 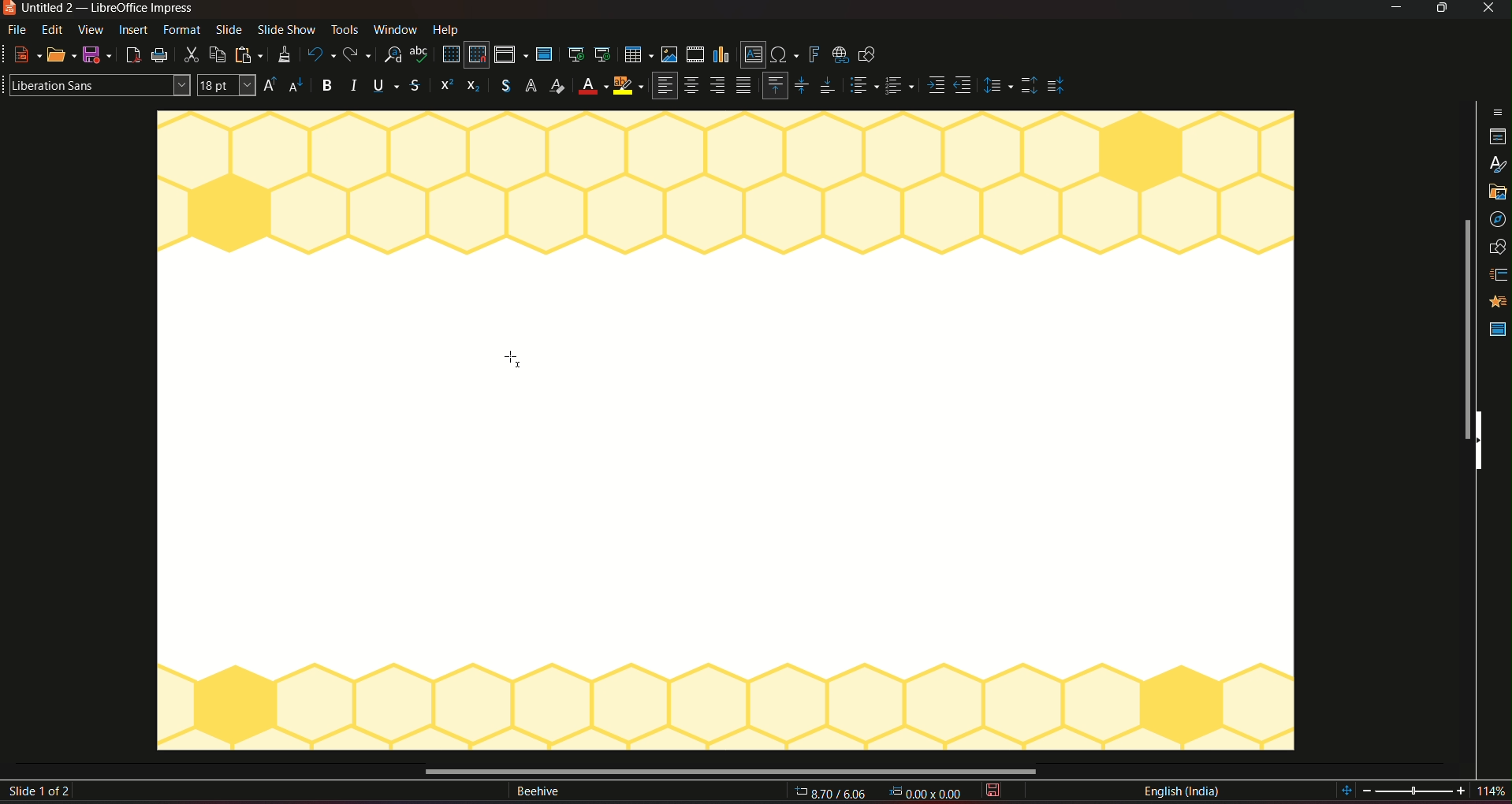 What do you see at coordinates (501, 87) in the screenshot?
I see `currency` at bounding box center [501, 87].